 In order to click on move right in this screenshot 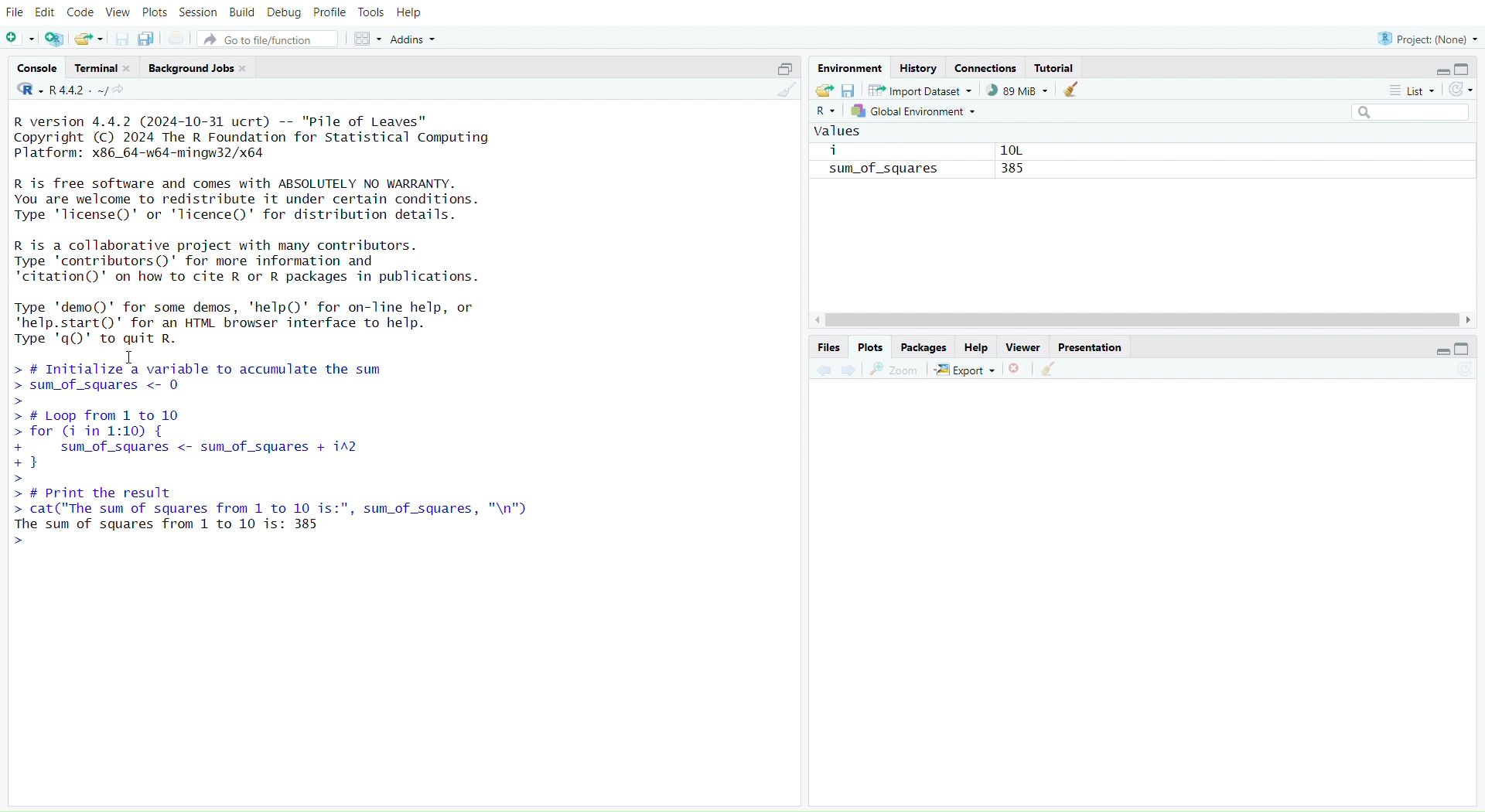, I will do `click(1471, 319)`.